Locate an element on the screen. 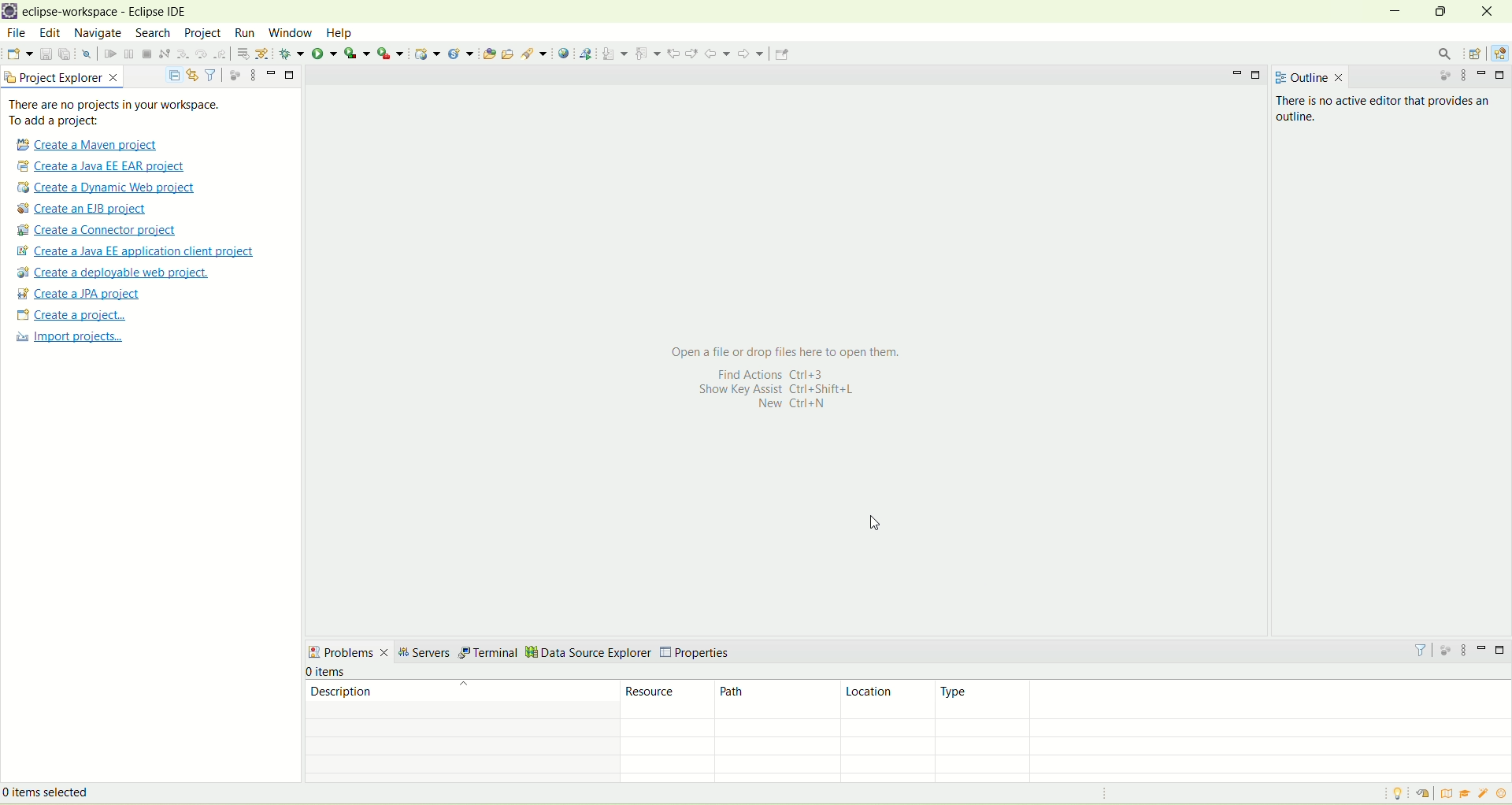  minimize is located at coordinates (272, 72).